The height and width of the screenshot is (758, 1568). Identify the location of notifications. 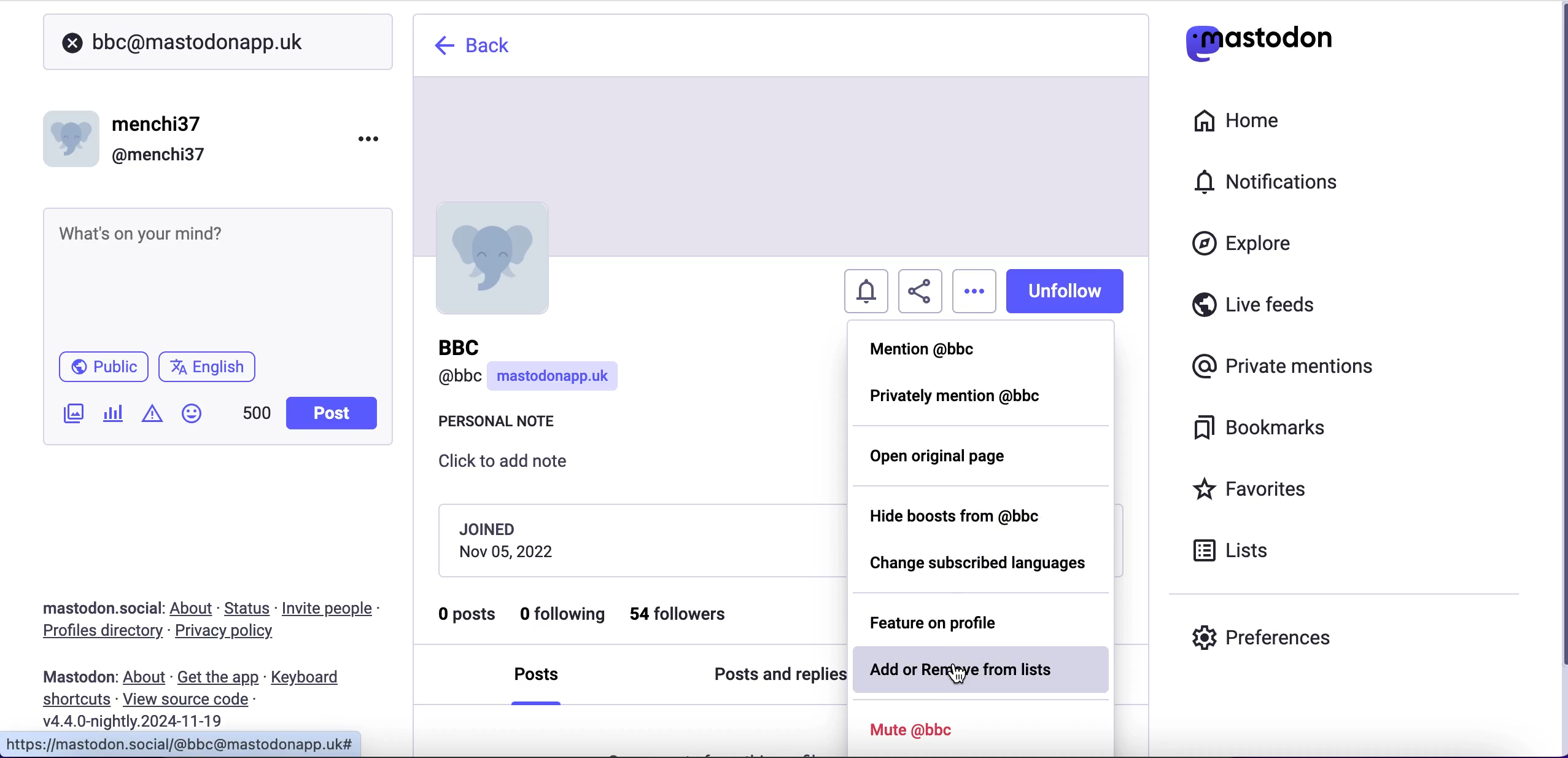
(1272, 181).